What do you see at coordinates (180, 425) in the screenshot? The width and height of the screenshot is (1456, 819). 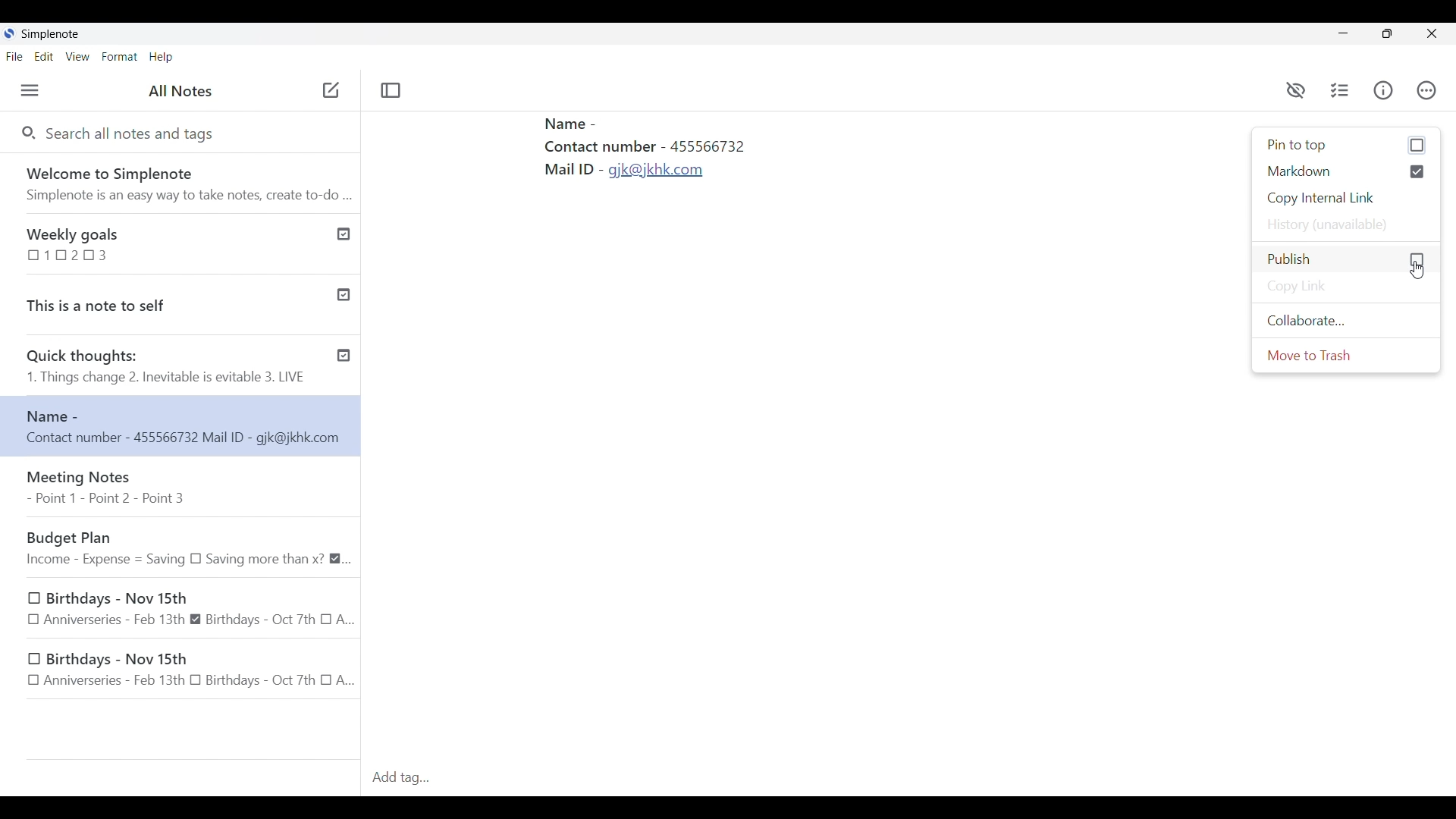 I see `New note text changed and moved up in list due to sorting` at bounding box center [180, 425].